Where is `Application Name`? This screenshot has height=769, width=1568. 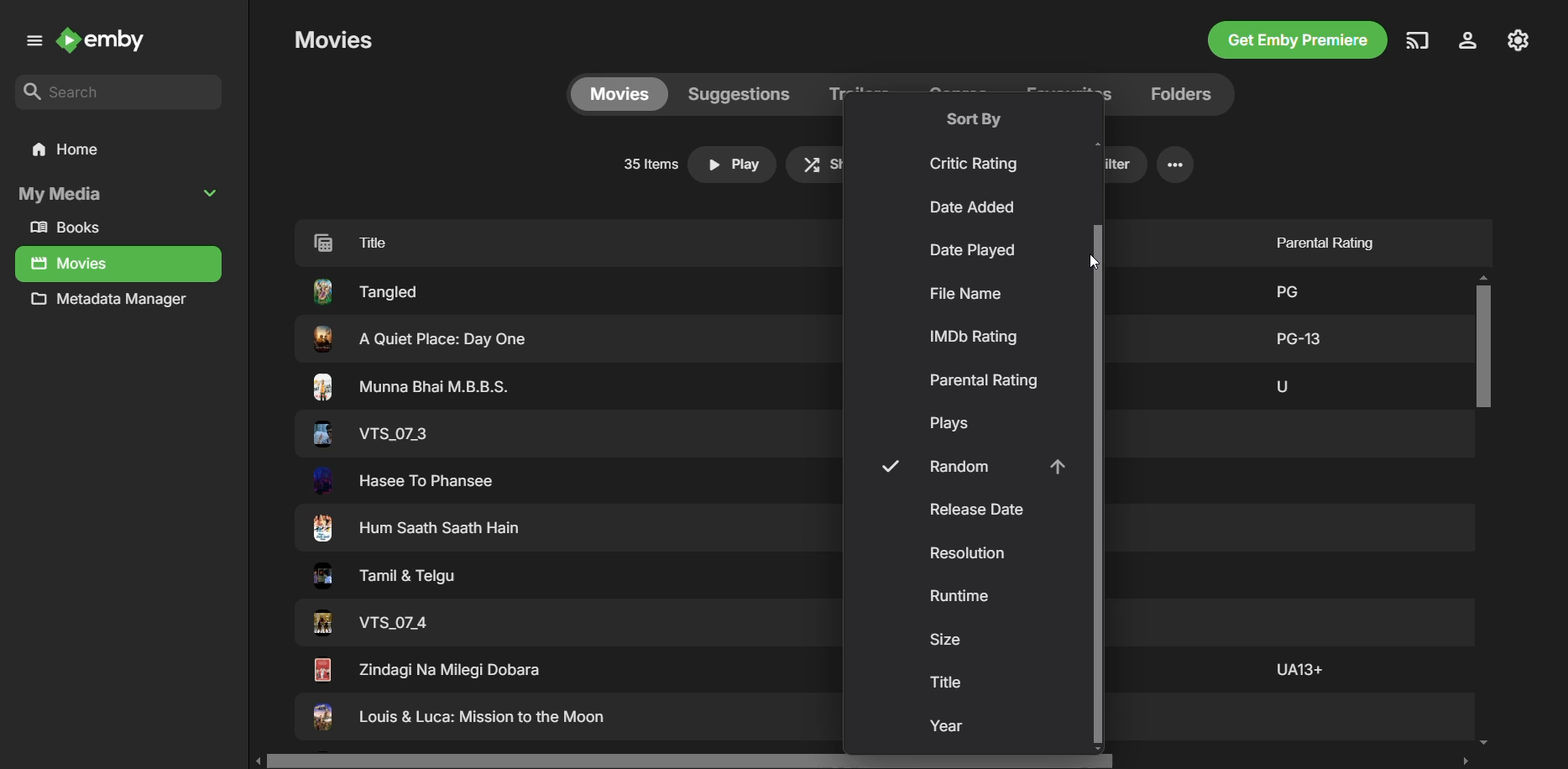 Application Name is located at coordinates (107, 42).